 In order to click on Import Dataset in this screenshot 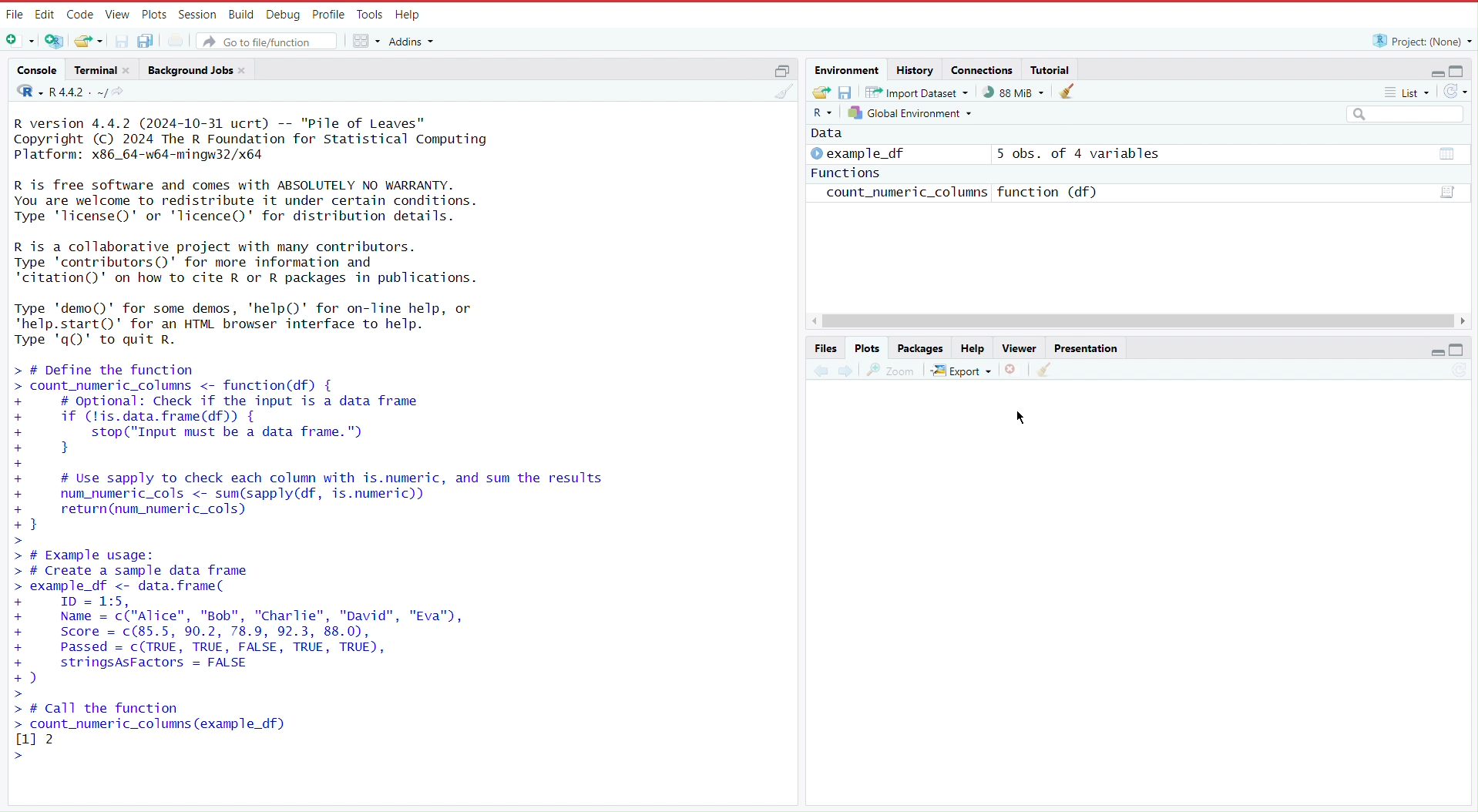, I will do `click(919, 92)`.